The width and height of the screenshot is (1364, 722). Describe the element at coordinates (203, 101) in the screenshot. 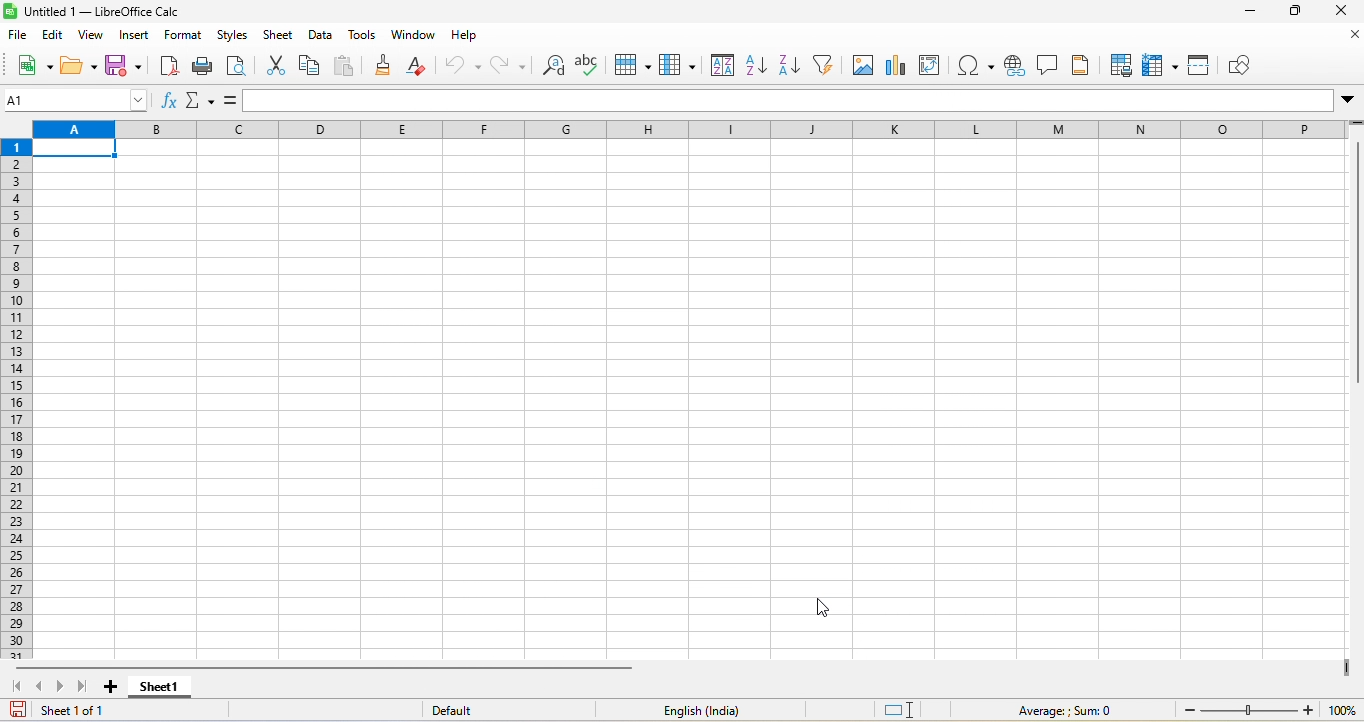

I see `select function` at that location.